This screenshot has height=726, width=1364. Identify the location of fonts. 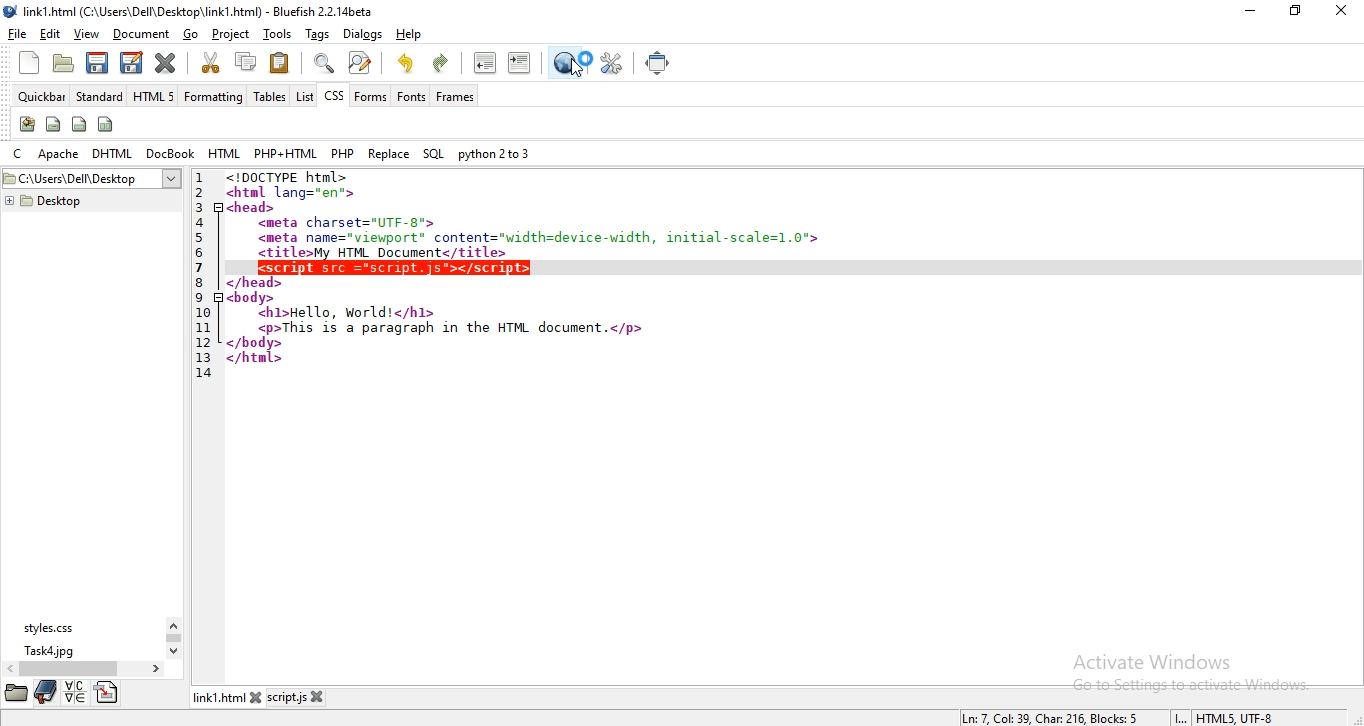
(410, 96).